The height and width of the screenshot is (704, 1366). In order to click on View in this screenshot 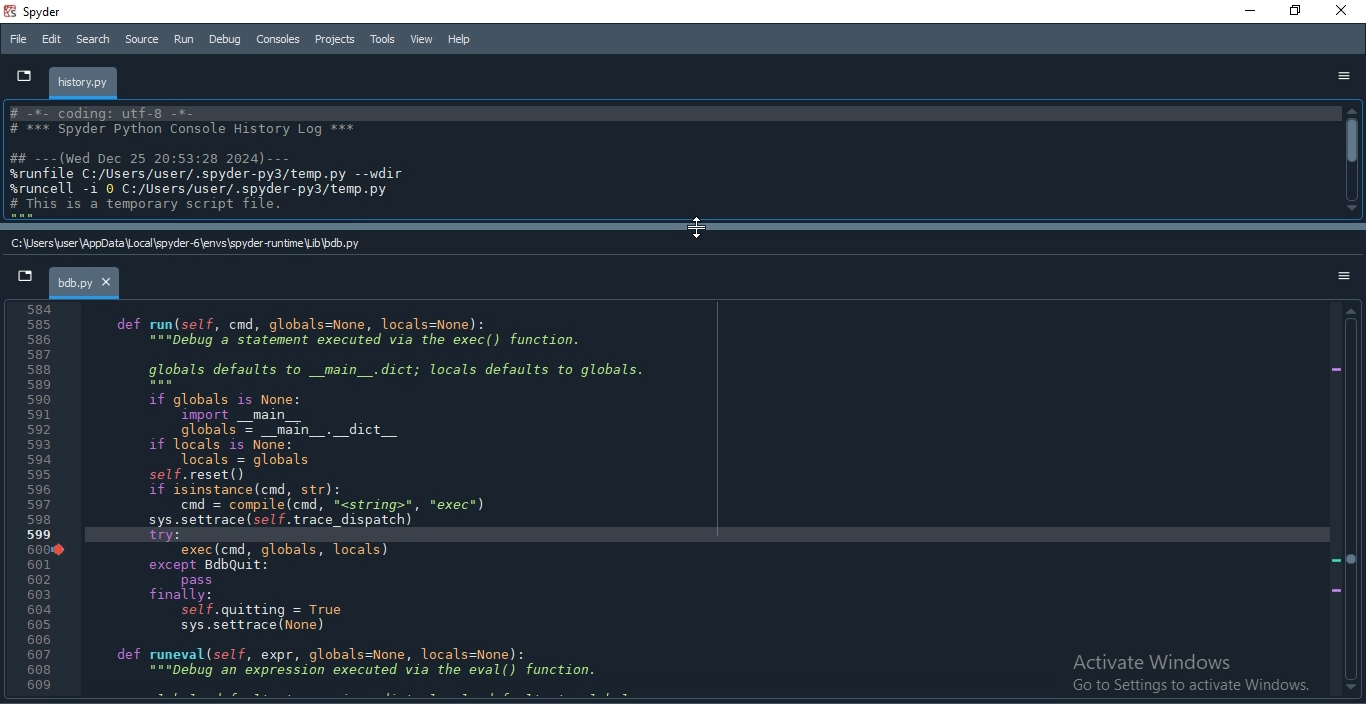, I will do `click(420, 38)`.